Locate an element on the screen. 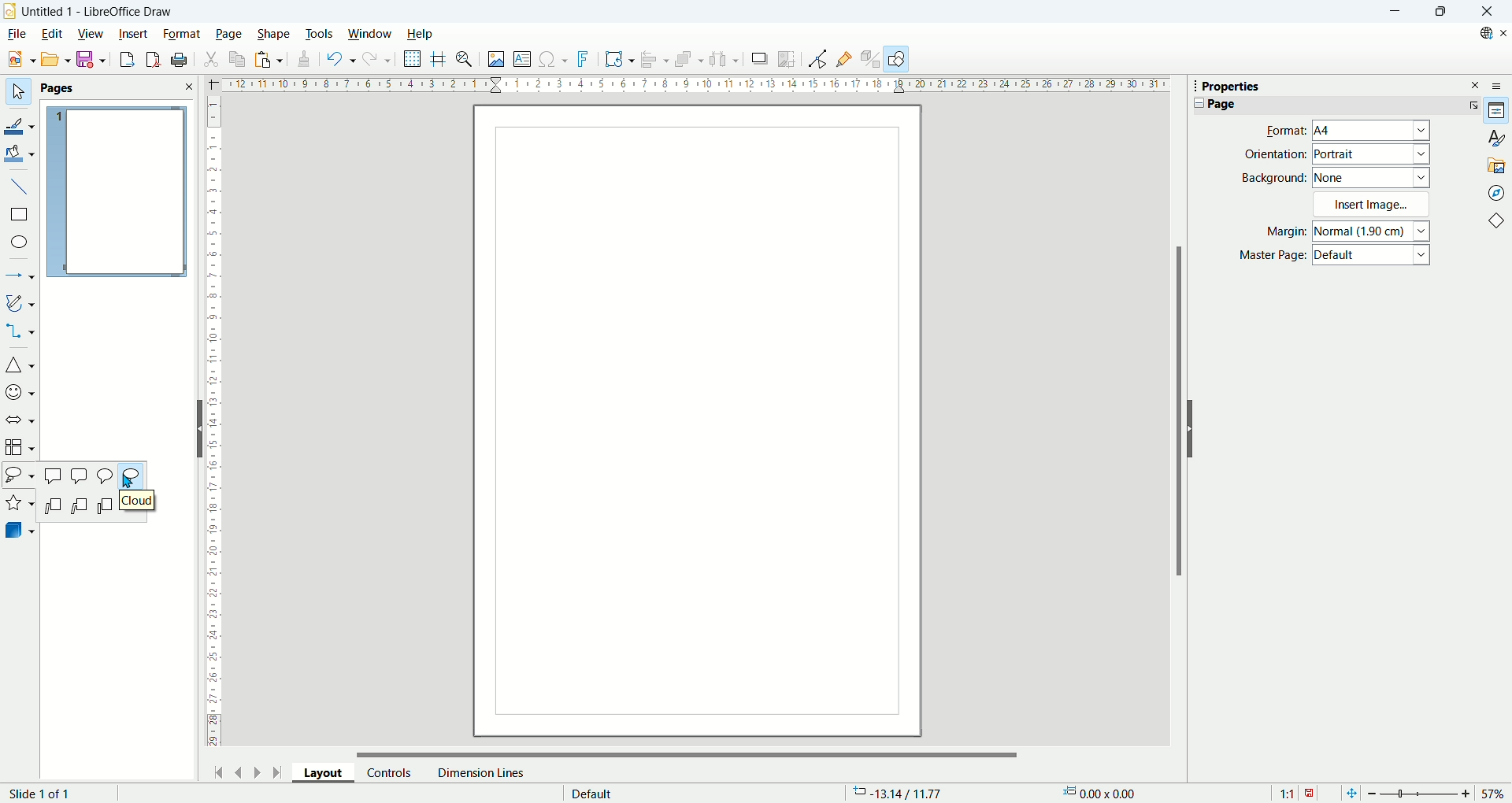  cut is located at coordinates (213, 57).